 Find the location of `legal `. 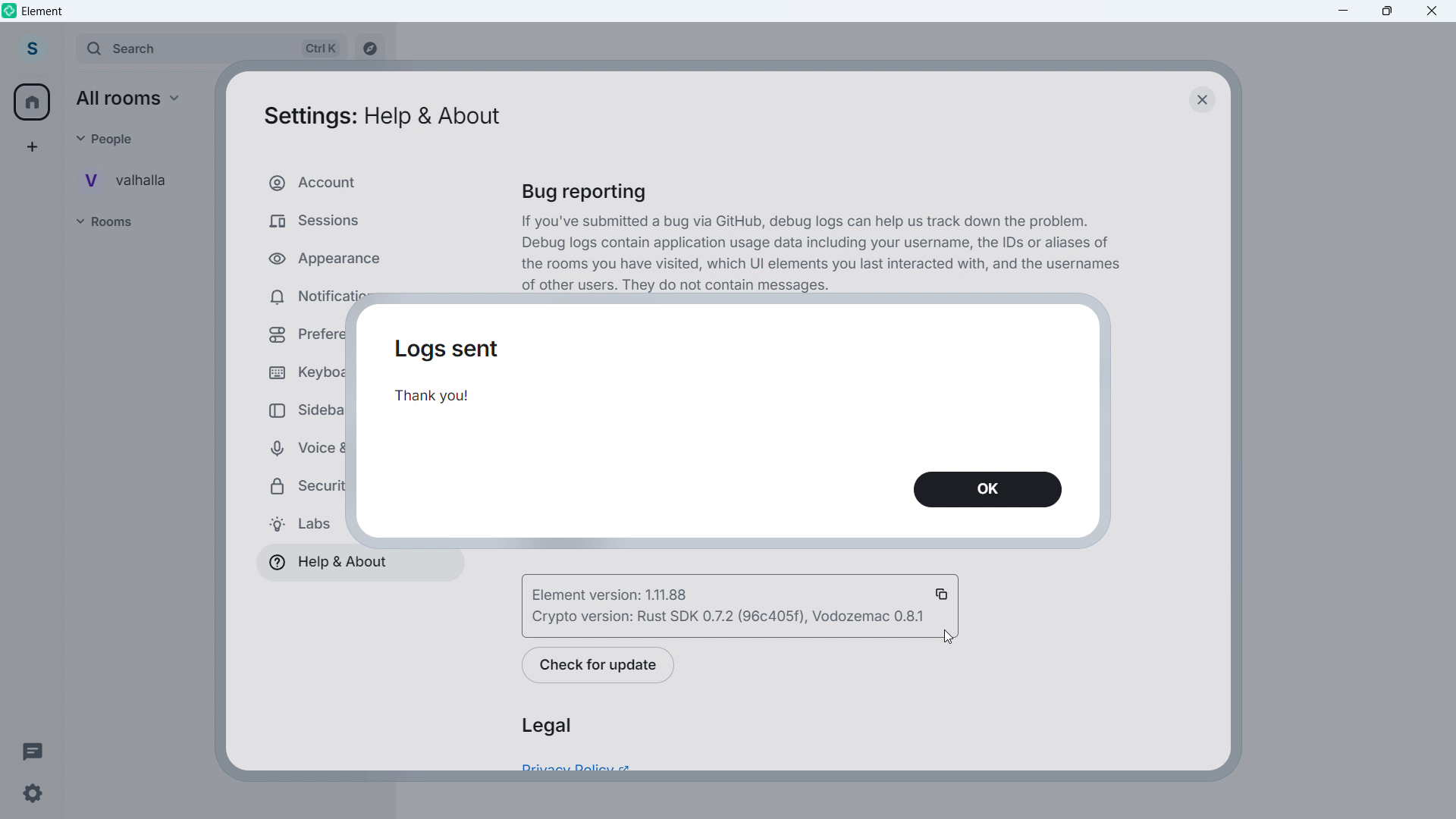

legal  is located at coordinates (546, 726).